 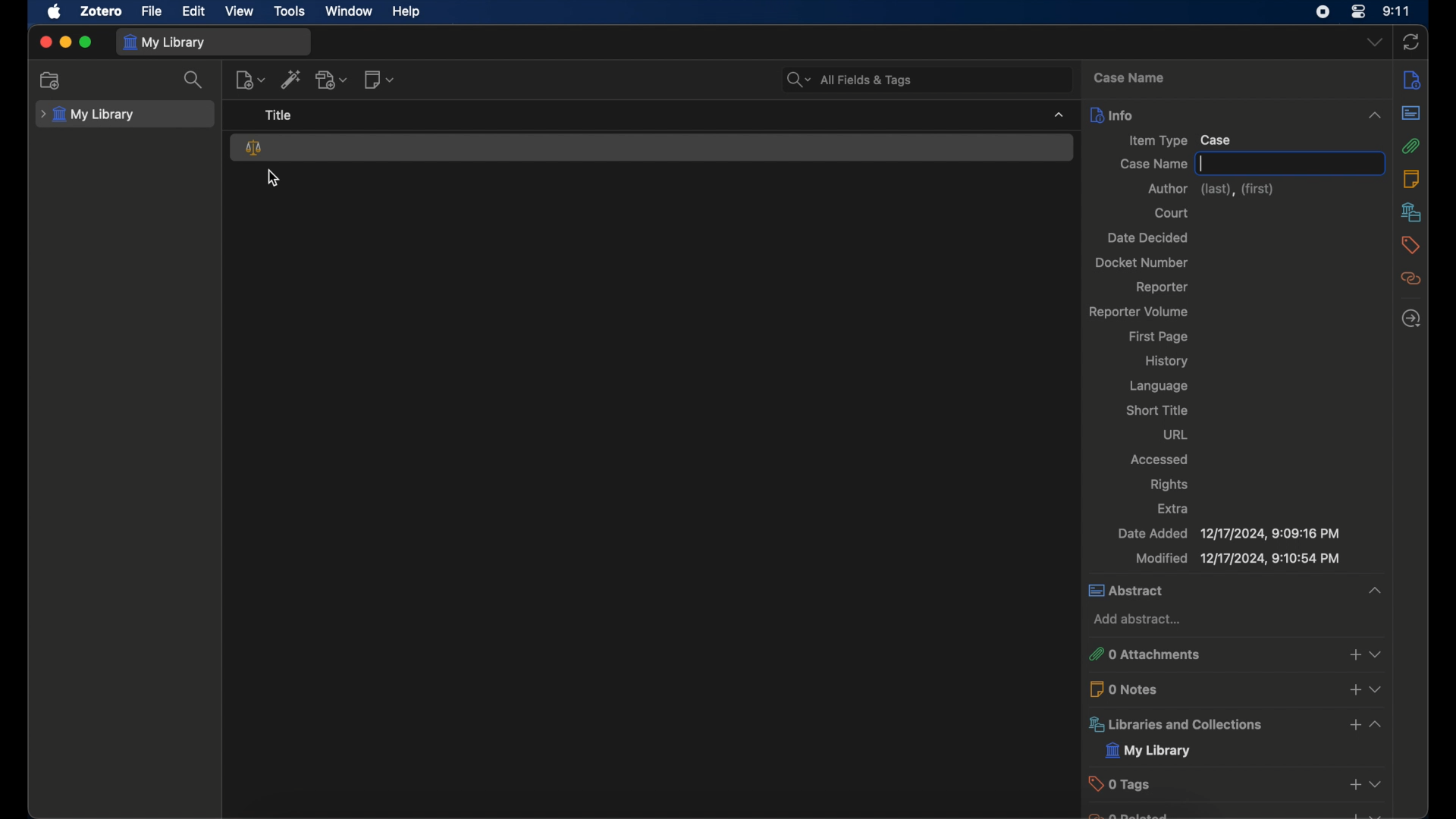 What do you see at coordinates (193, 11) in the screenshot?
I see `edit` at bounding box center [193, 11].